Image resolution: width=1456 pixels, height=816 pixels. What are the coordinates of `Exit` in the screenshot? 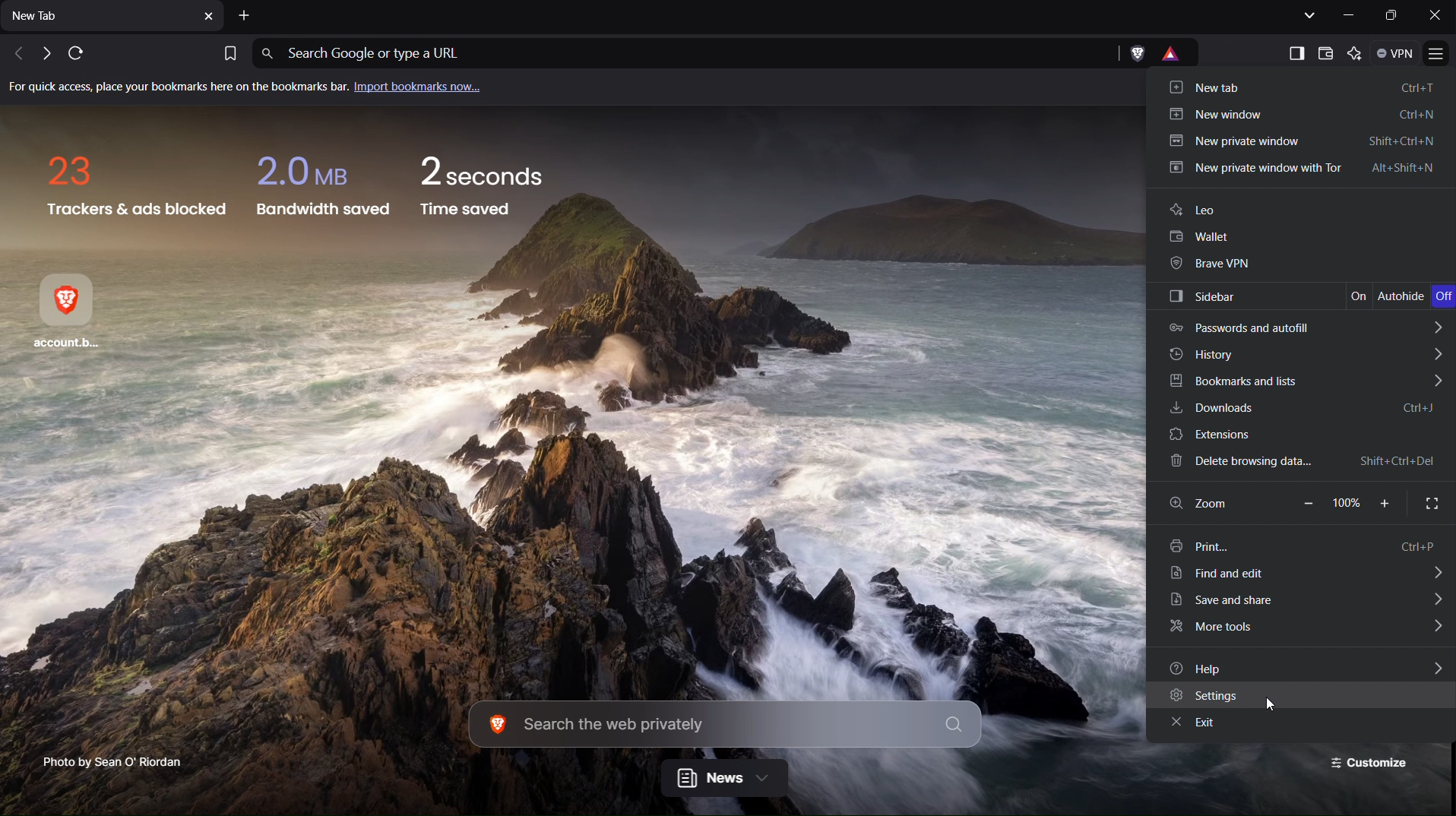 It's located at (1302, 726).